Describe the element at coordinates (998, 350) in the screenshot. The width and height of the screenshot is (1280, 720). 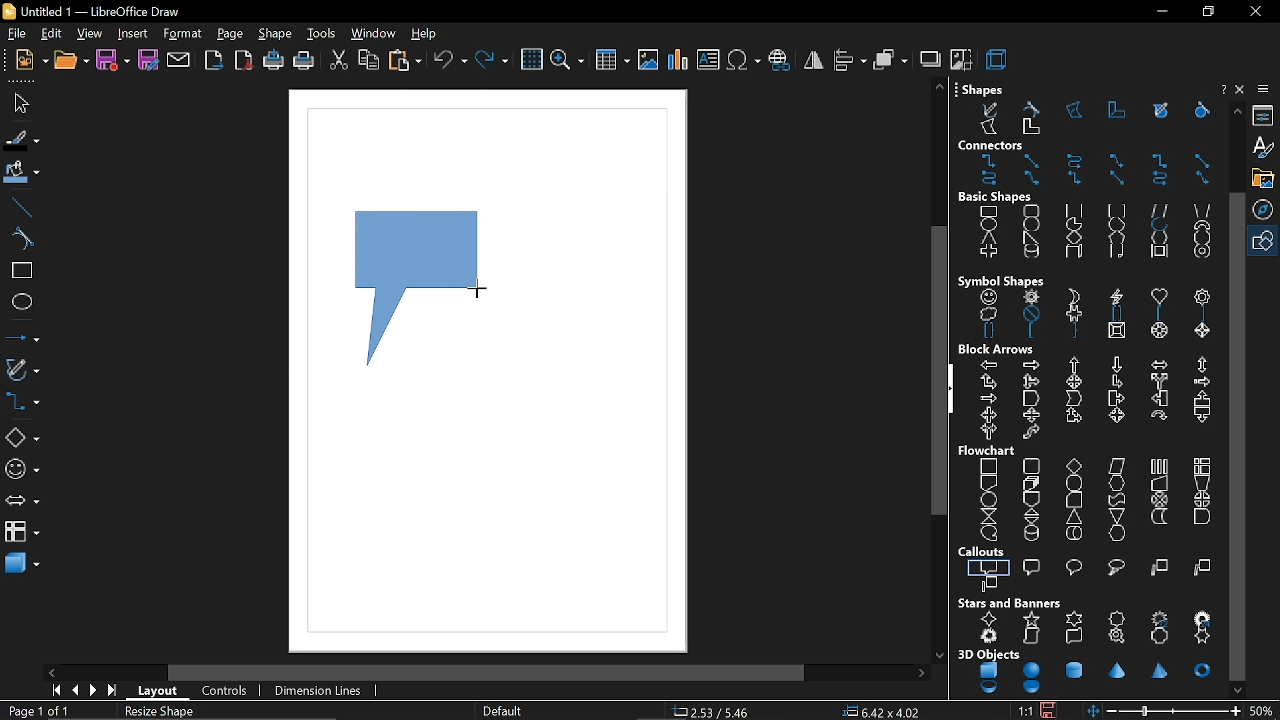
I see `block arrows` at that location.